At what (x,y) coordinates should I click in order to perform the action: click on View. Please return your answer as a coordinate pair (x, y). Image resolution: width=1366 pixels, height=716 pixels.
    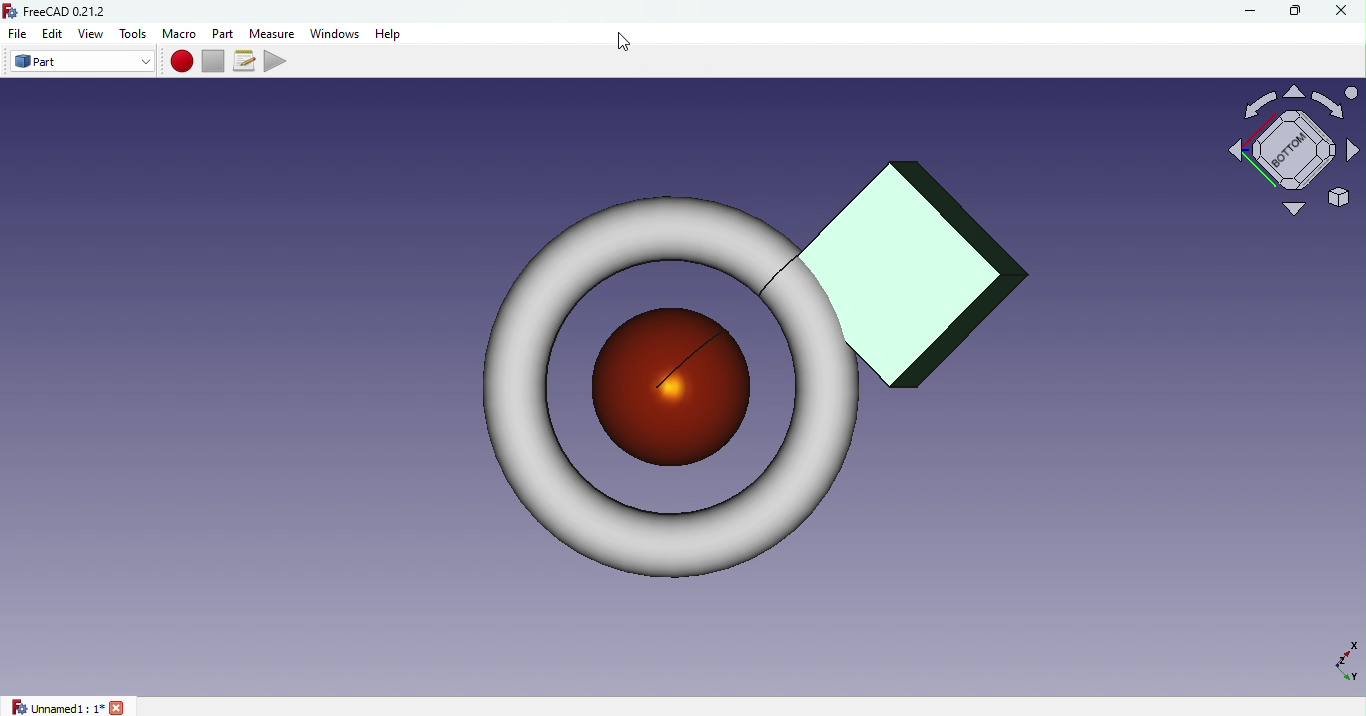
    Looking at the image, I should click on (91, 33).